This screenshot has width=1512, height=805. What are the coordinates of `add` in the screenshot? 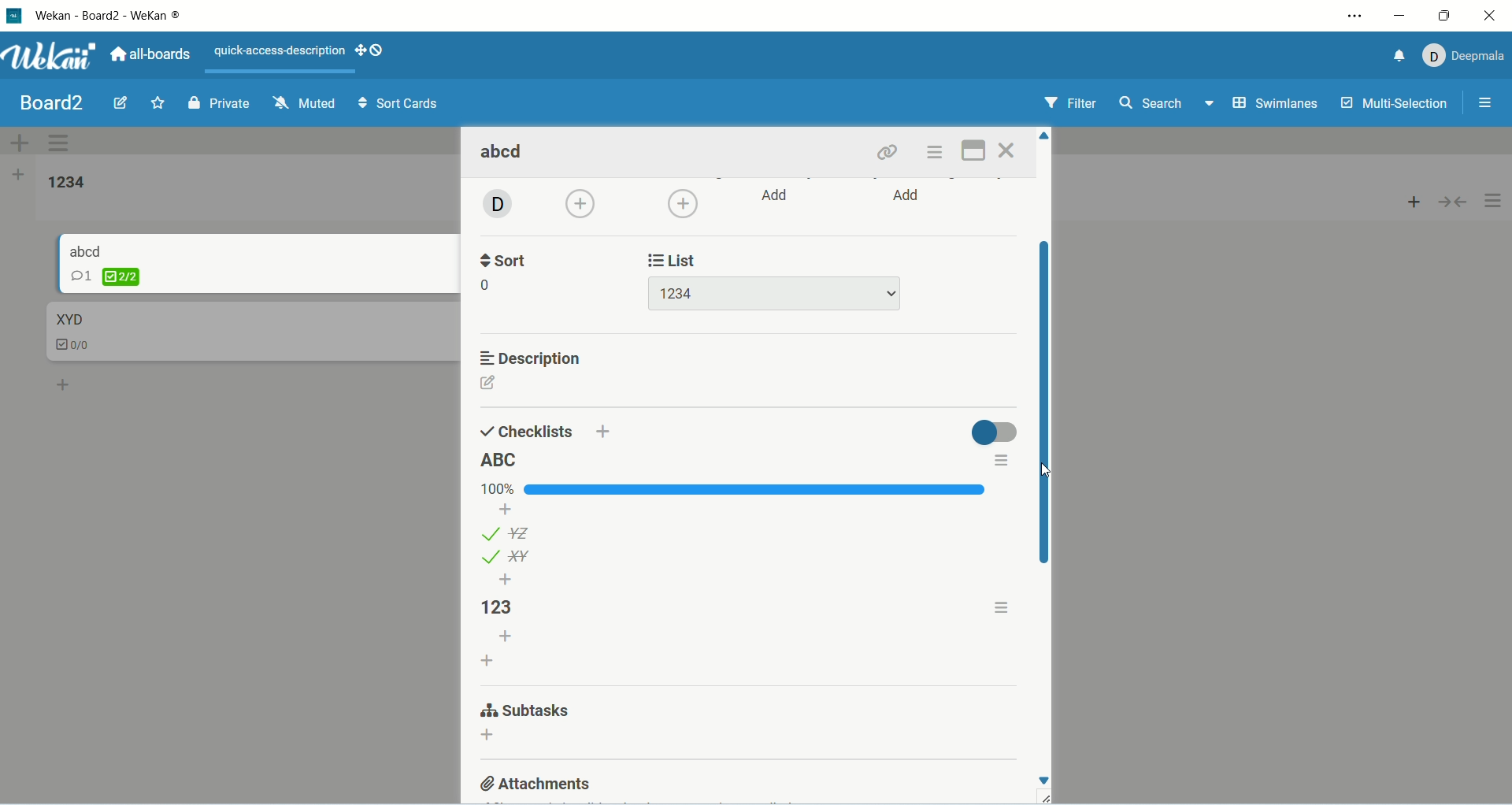 It's located at (65, 384).